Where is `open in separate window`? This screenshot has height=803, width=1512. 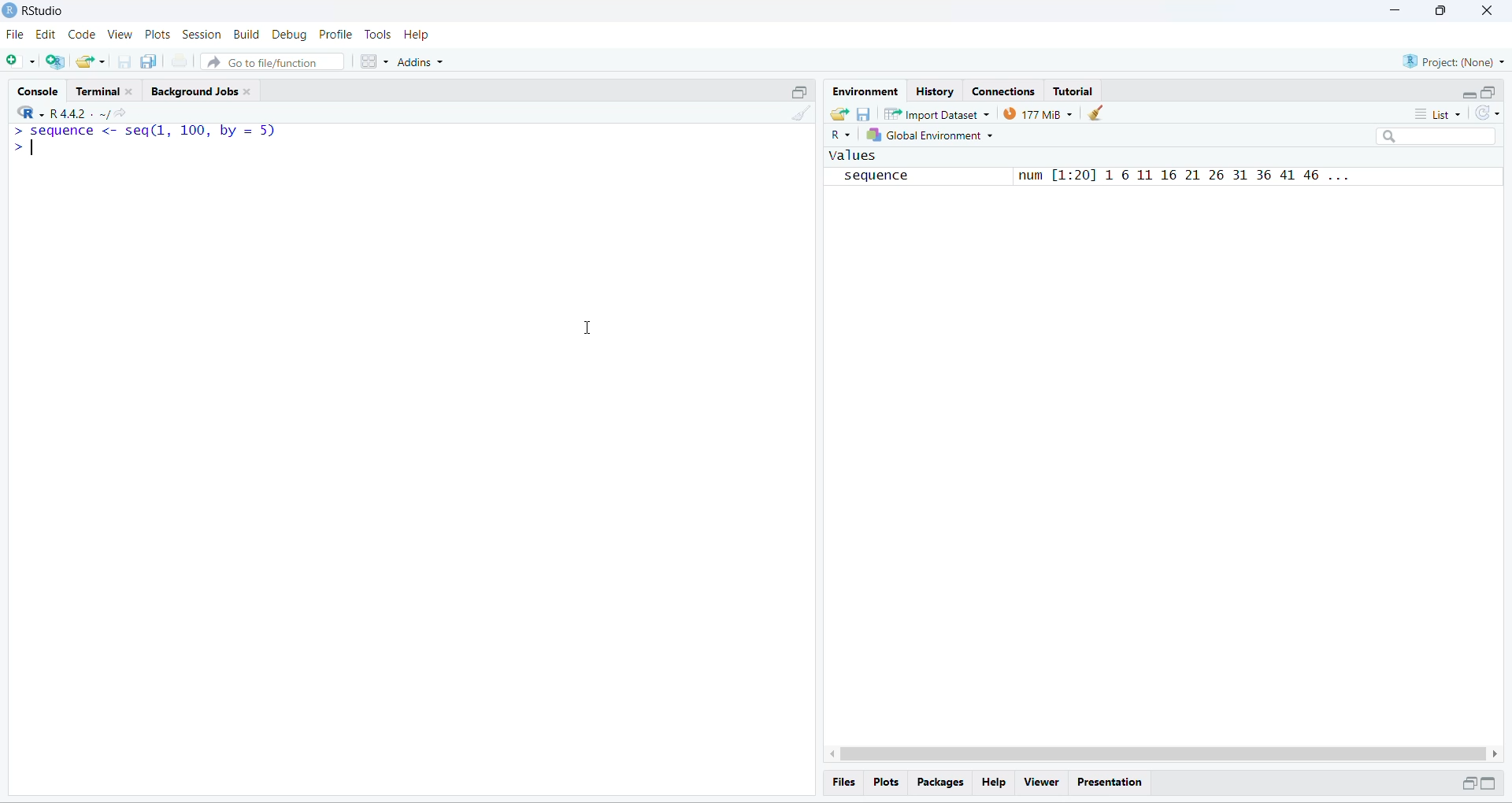
open in separate window is located at coordinates (1490, 92).